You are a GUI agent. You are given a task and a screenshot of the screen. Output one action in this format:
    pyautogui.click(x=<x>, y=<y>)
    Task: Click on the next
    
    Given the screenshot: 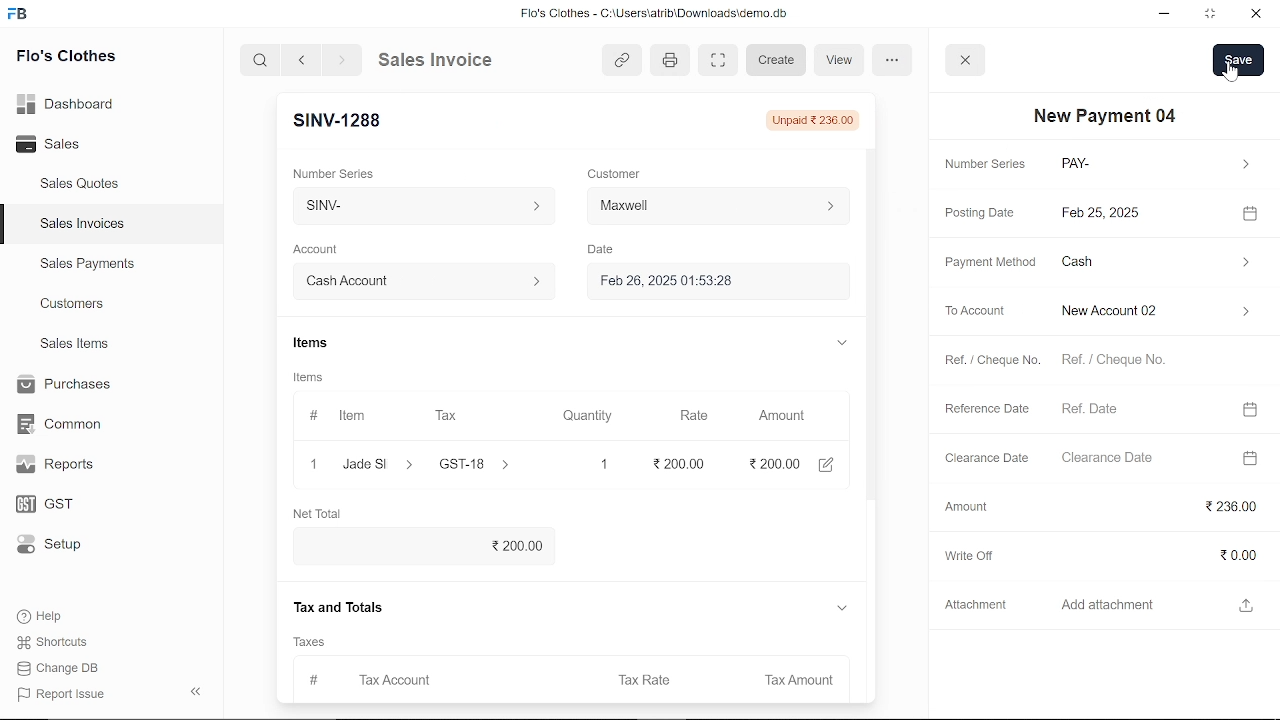 What is the action you would take?
    pyautogui.click(x=342, y=60)
    